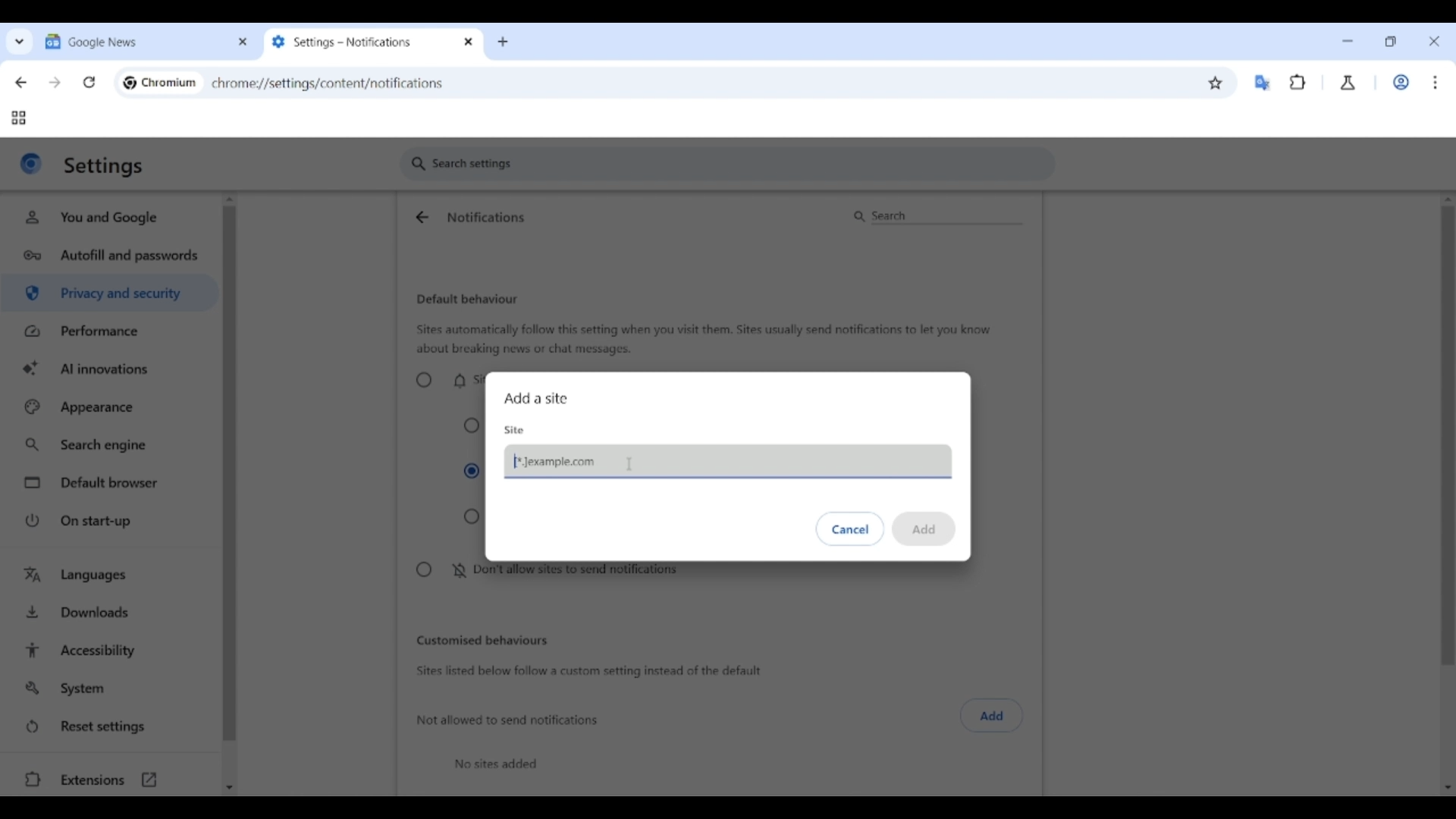  Describe the element at coordinates (728, 164) in the screenshot. I see `Search settings` at that location.